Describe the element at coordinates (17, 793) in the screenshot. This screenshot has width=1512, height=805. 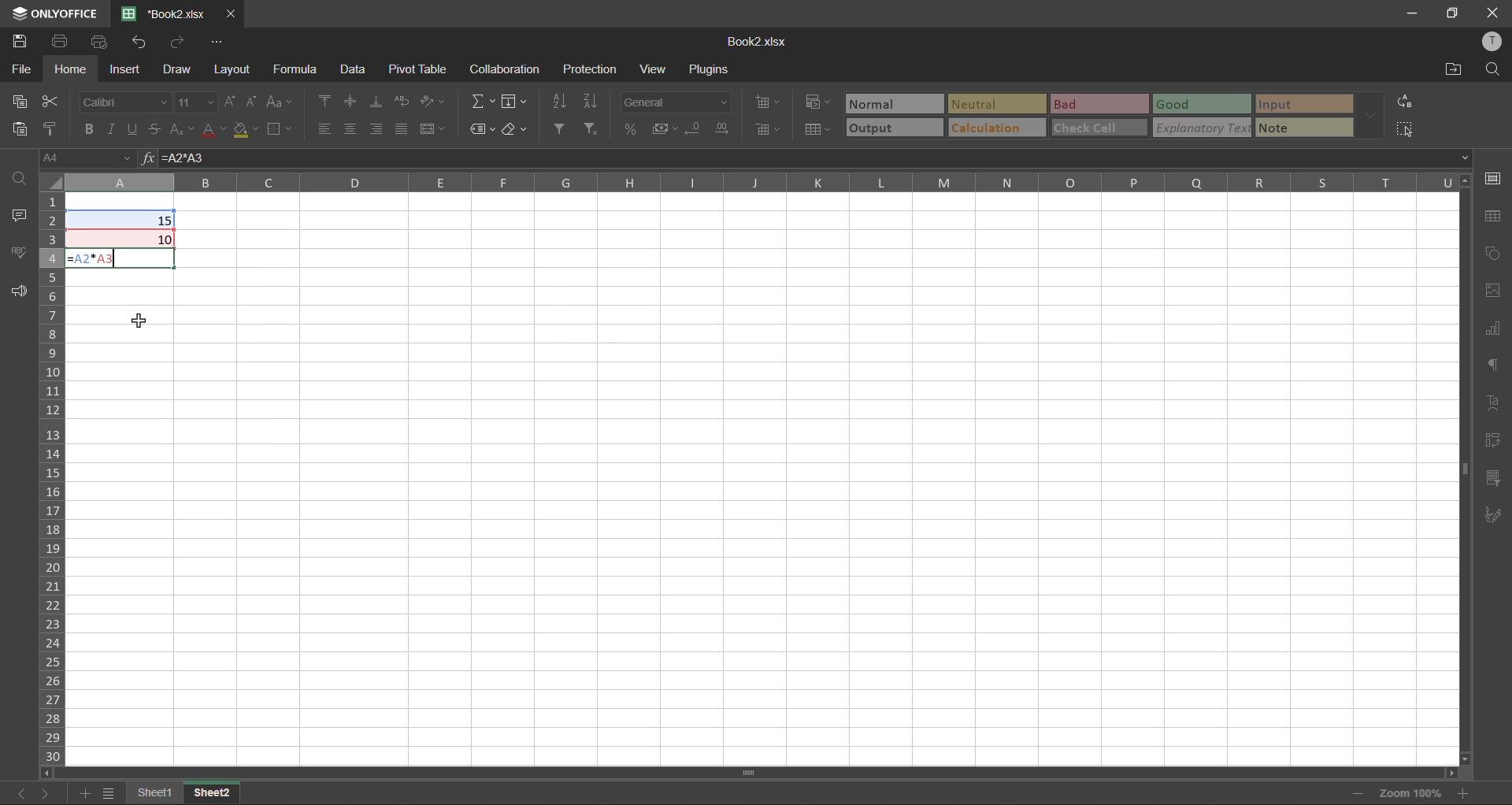
I see `previous` at that location.